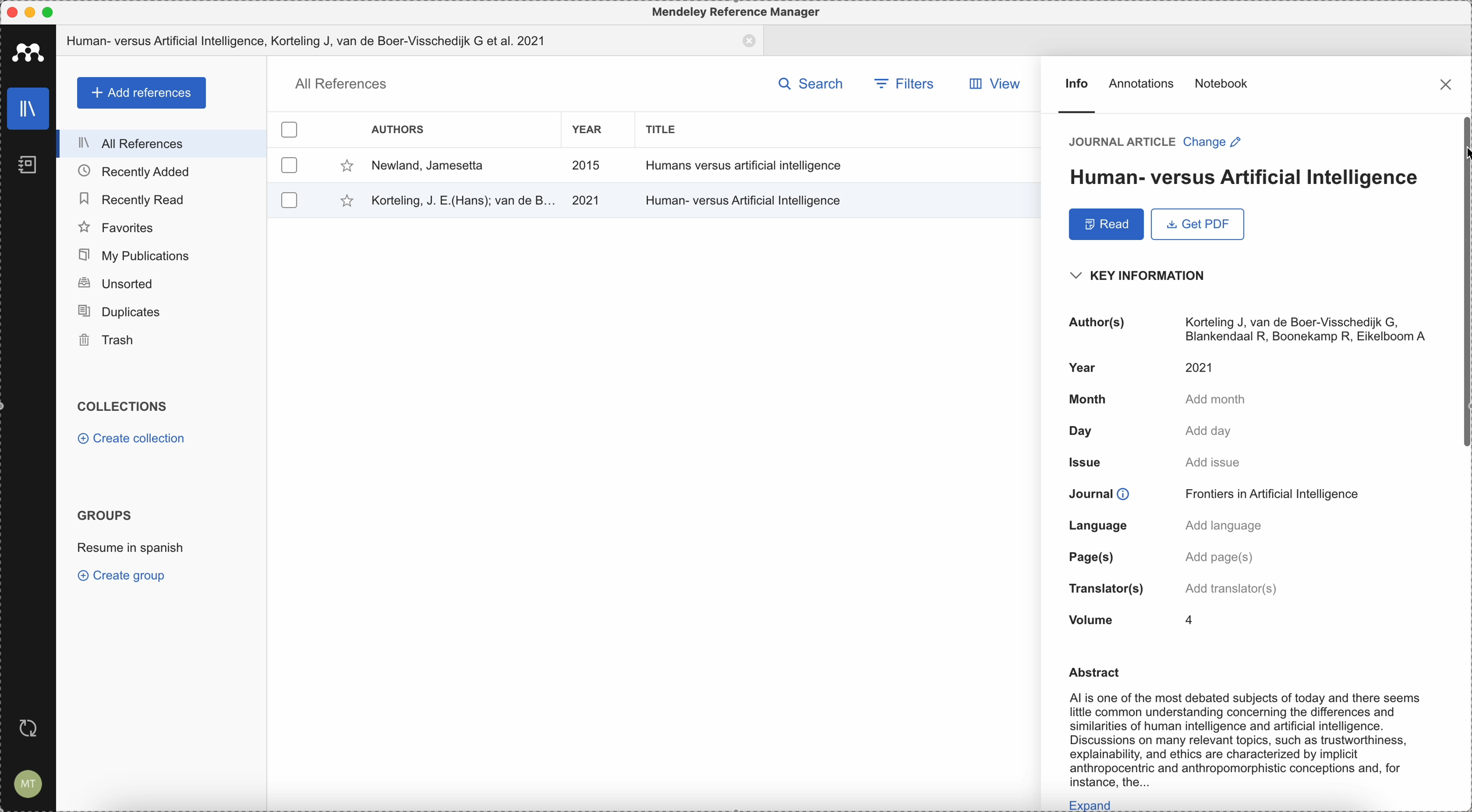 Image resolution: width=1472 pixels, height=812 pixels. I want to click on favorite, so click(344, 166).